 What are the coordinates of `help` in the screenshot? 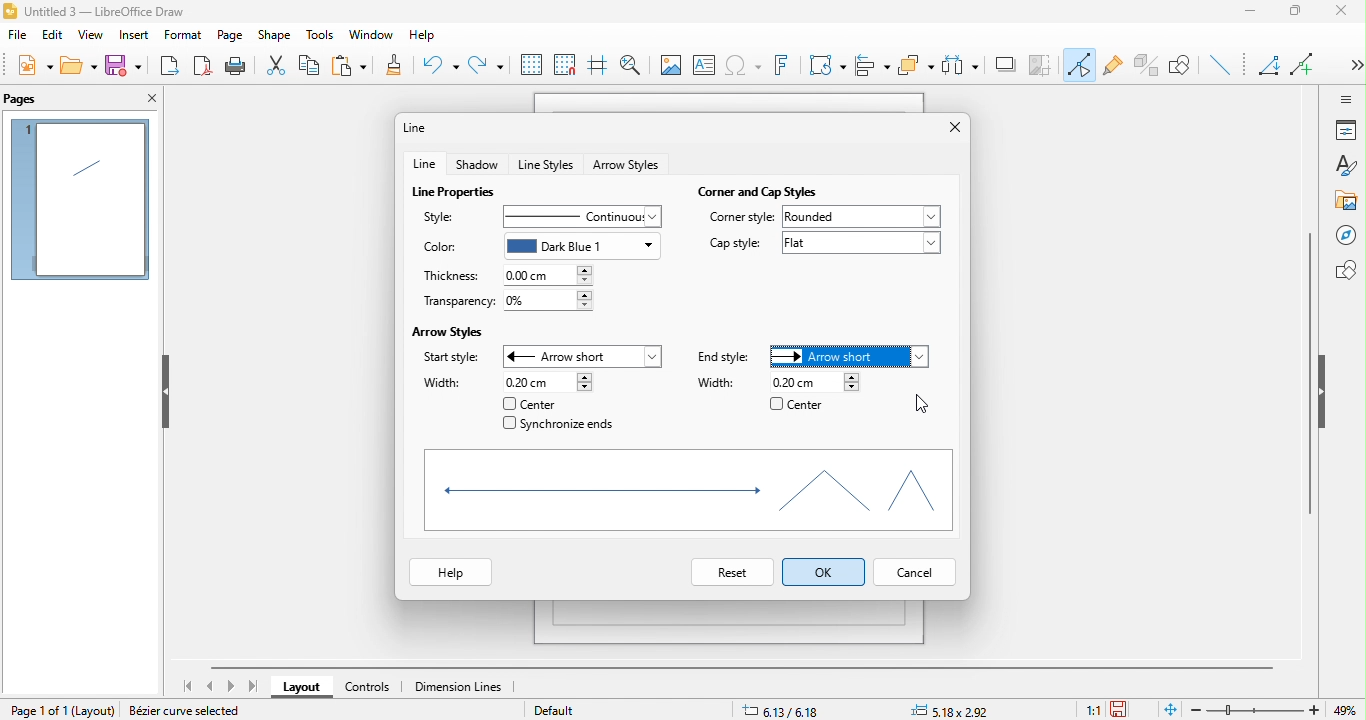 It's located at (421, 37).